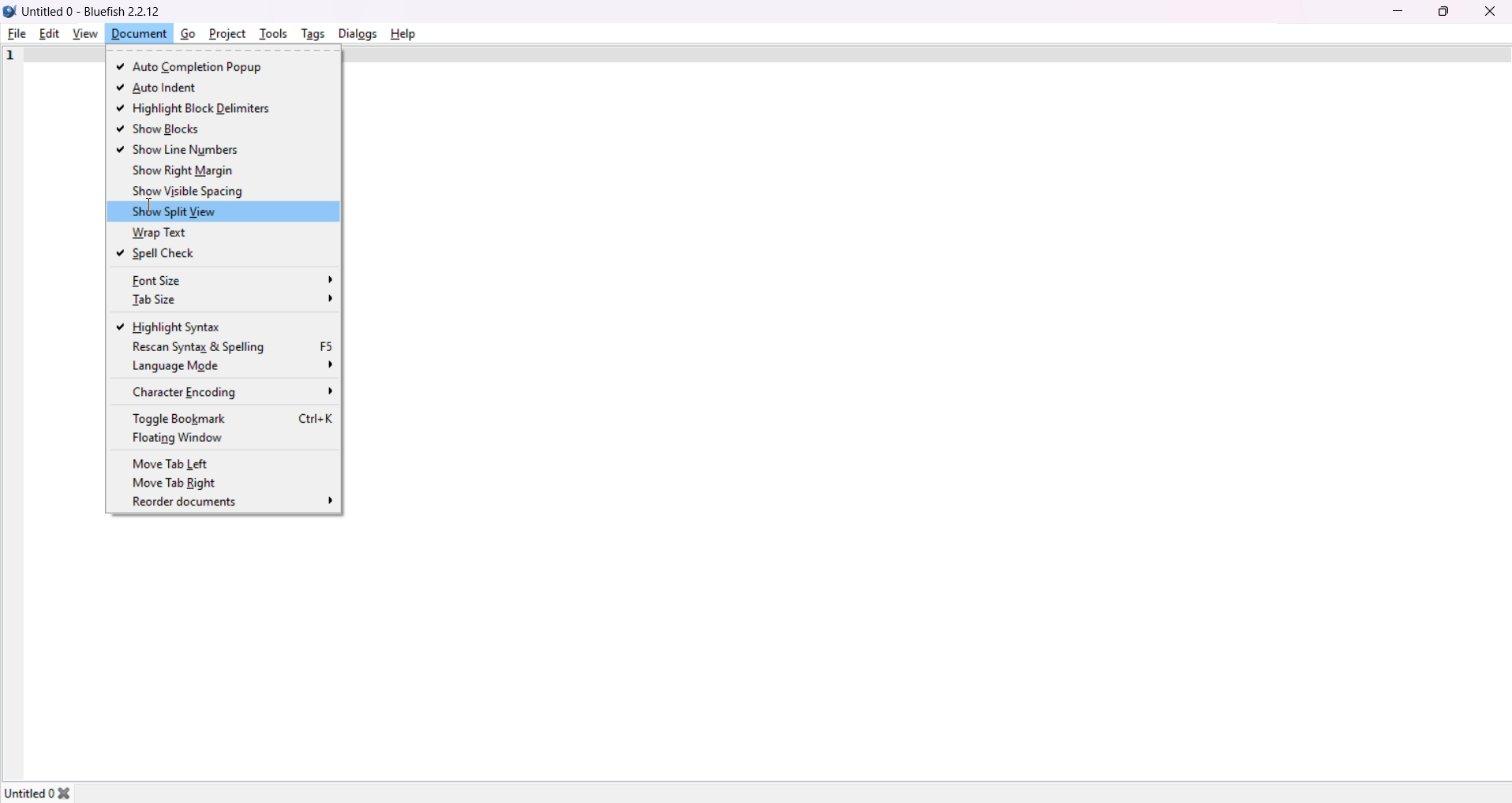  What do you see at coordinates (181, 211) in the screenshot?
I see `show split view` at bounding box center [181, 211].